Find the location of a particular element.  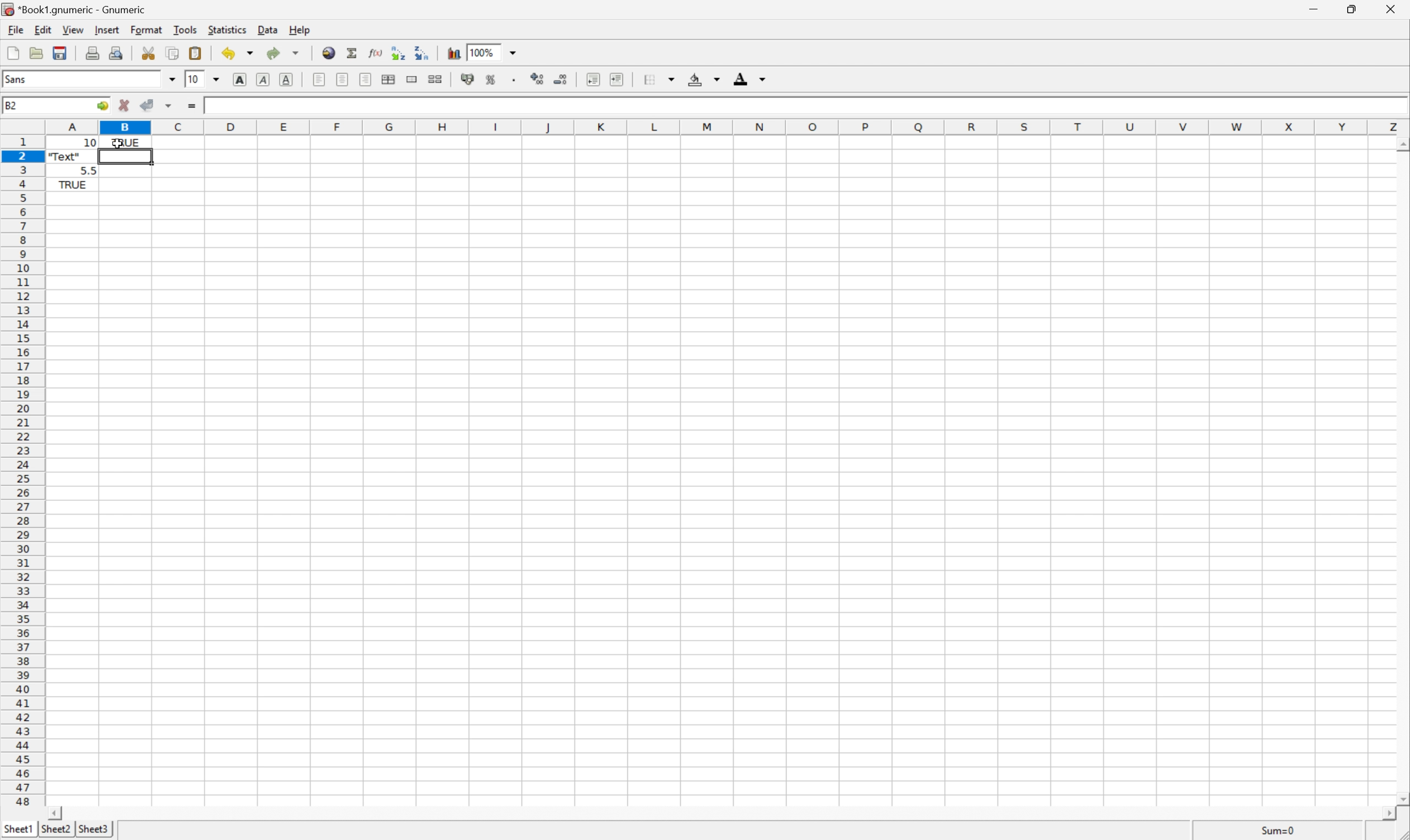

Align Left is located at coordinates (319, 78).